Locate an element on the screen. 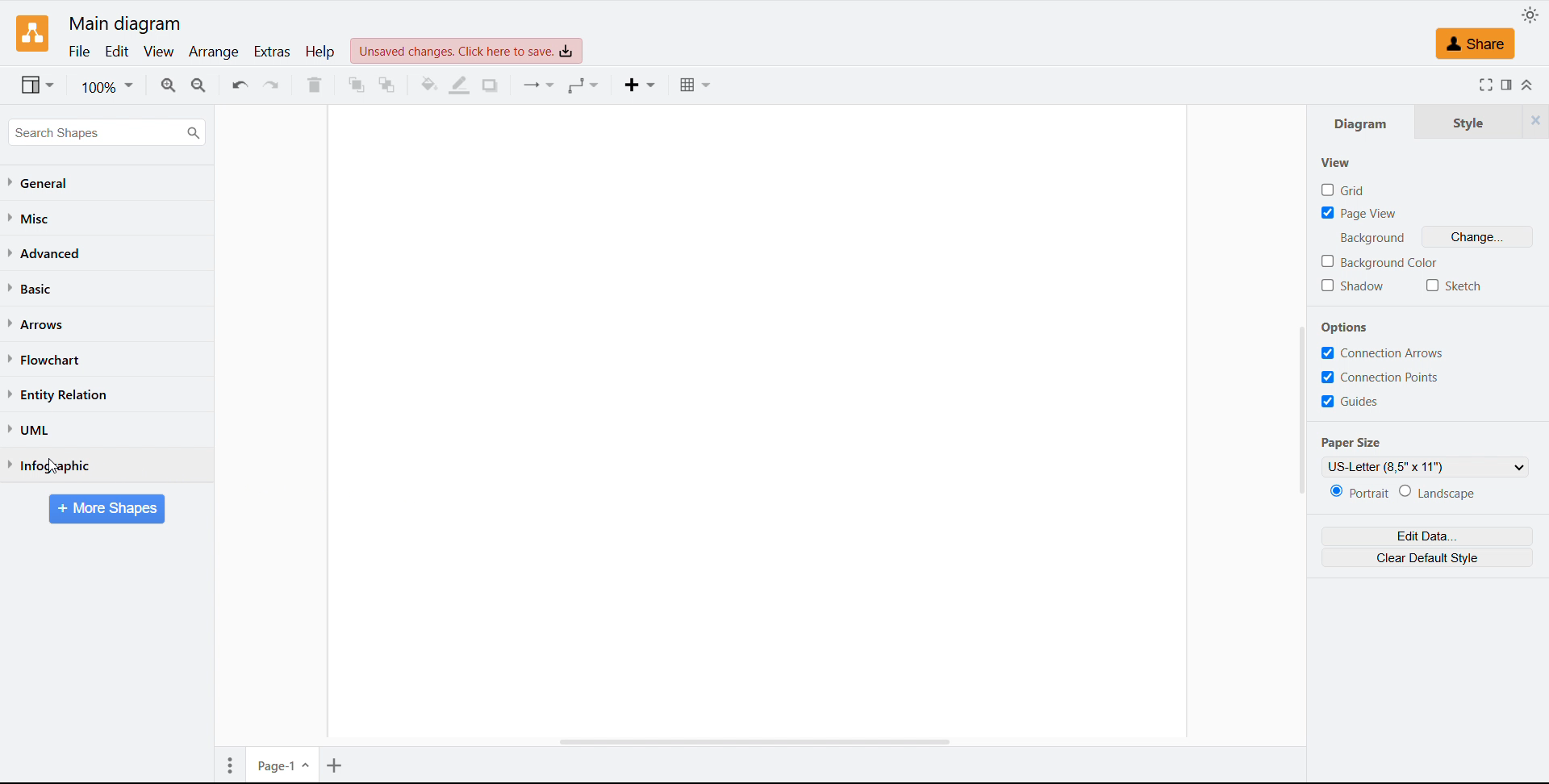 This screenshot has height=784, width=1549. Zoom level  is located at coordinates (108, 87).